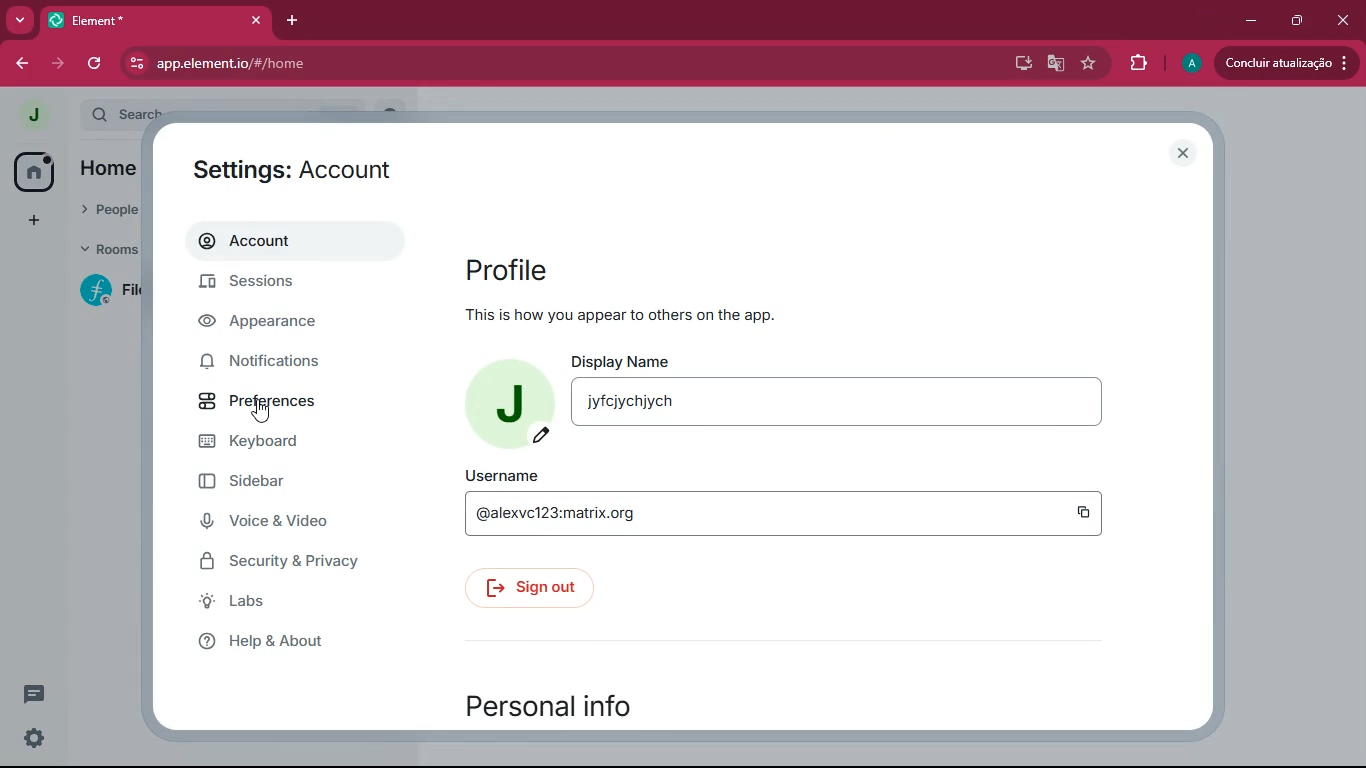 This screenshot has height=768, width=1366. I want to click on settings: account, so click(318, 167).